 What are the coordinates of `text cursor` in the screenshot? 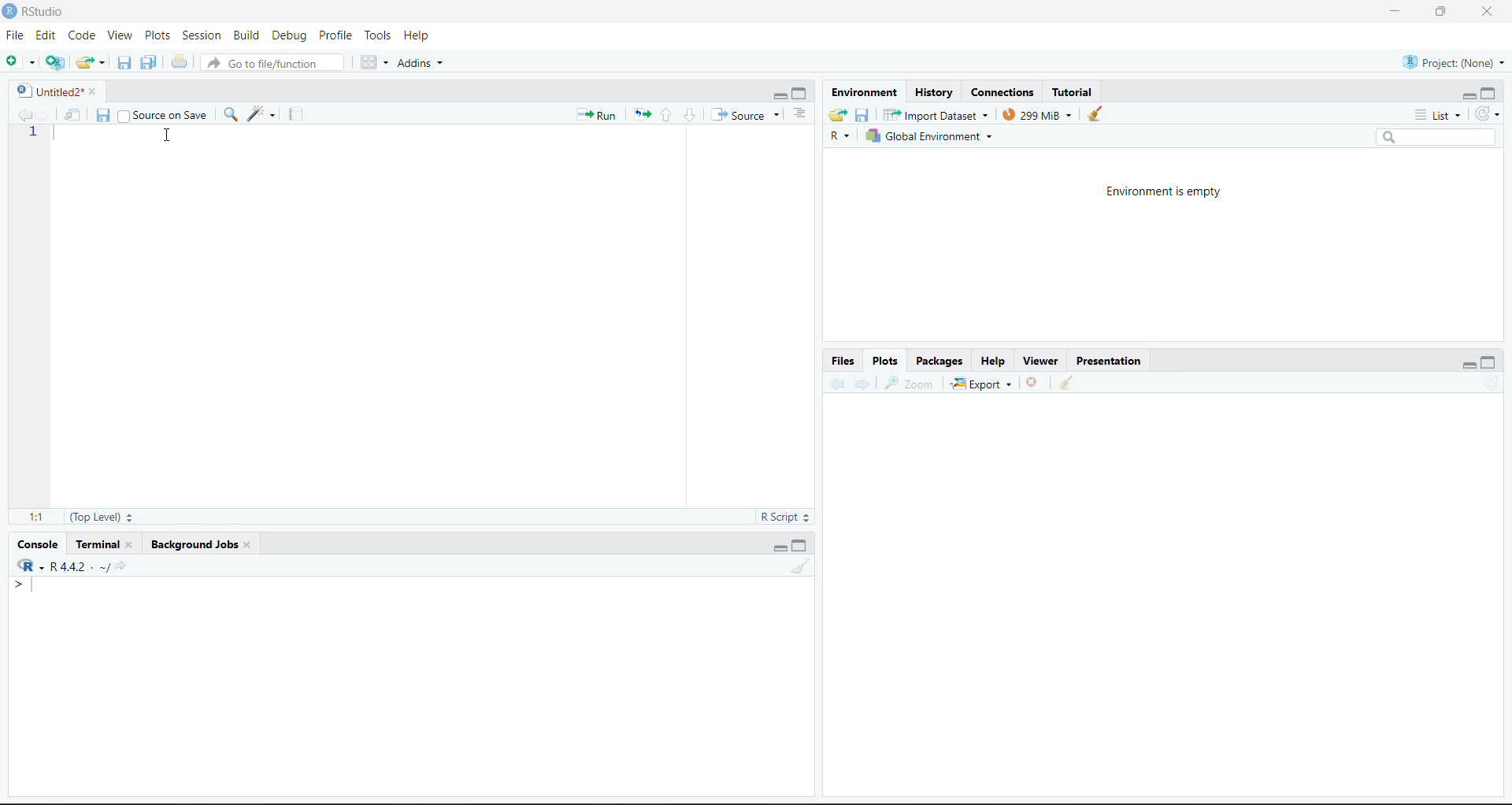 It's located at (35, 584).